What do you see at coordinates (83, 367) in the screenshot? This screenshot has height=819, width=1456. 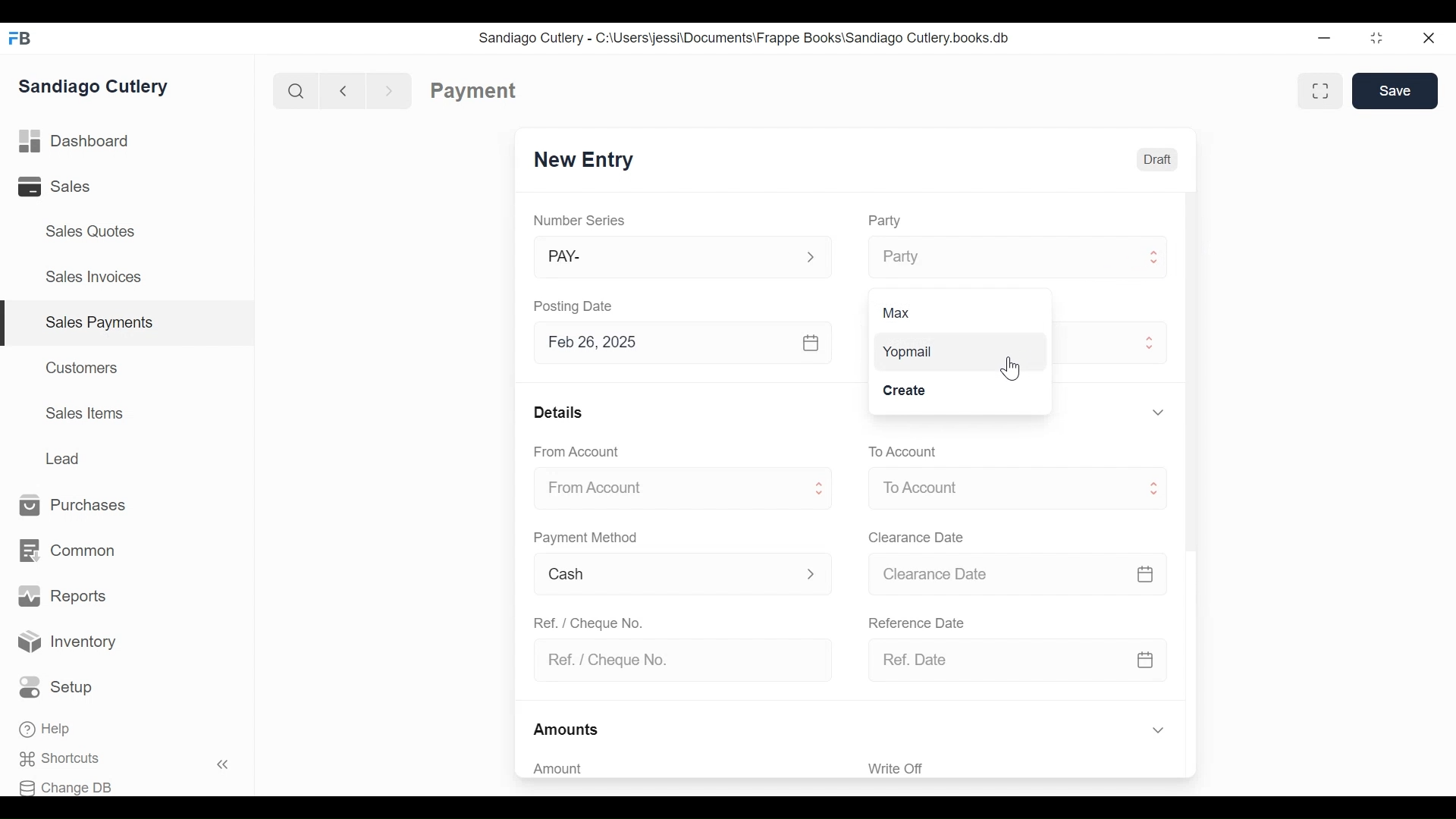 I see `Customers` at bounding box center [83, 367].